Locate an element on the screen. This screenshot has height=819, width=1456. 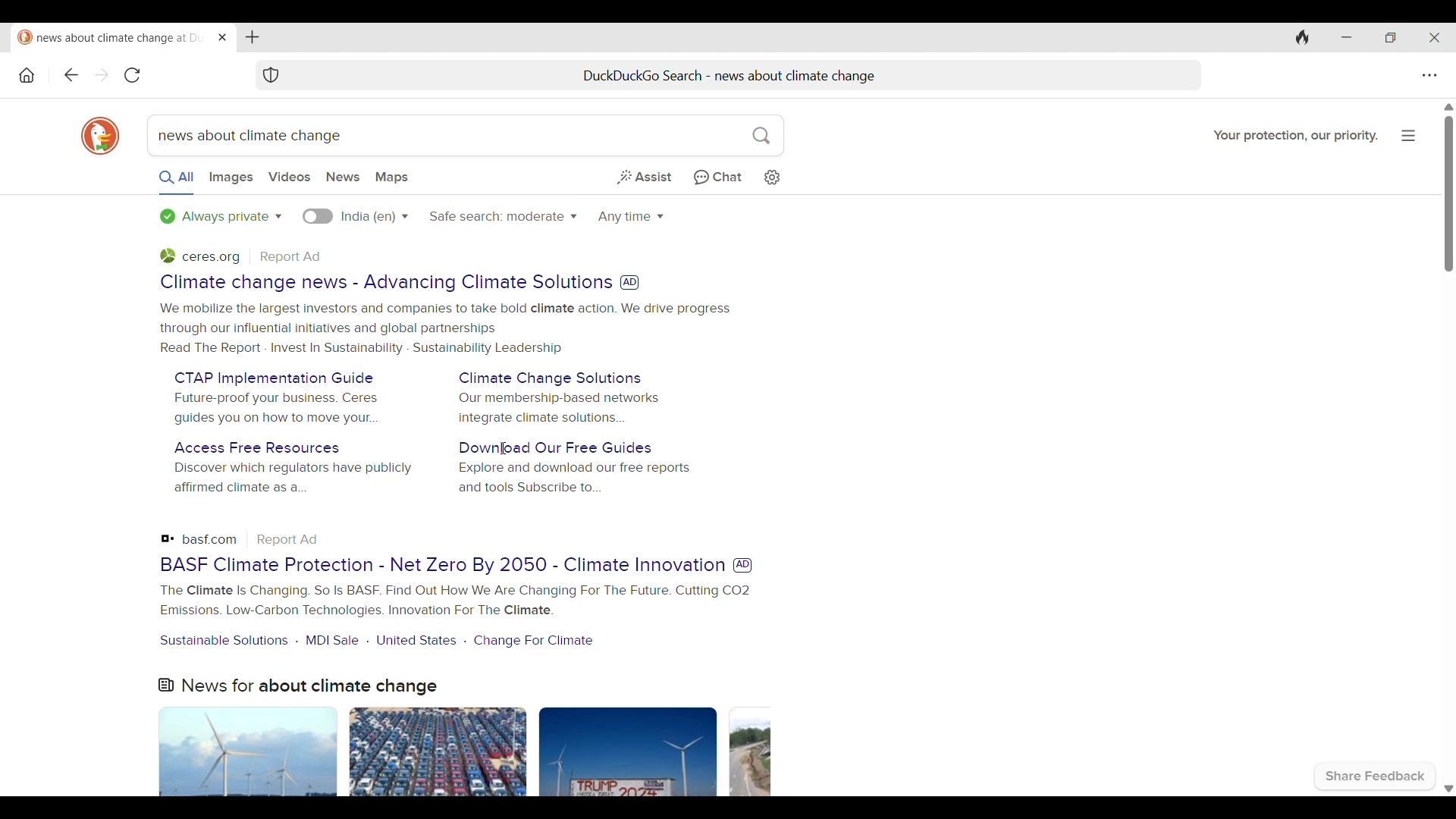
Search results by time is located at coordinates (632, 218).